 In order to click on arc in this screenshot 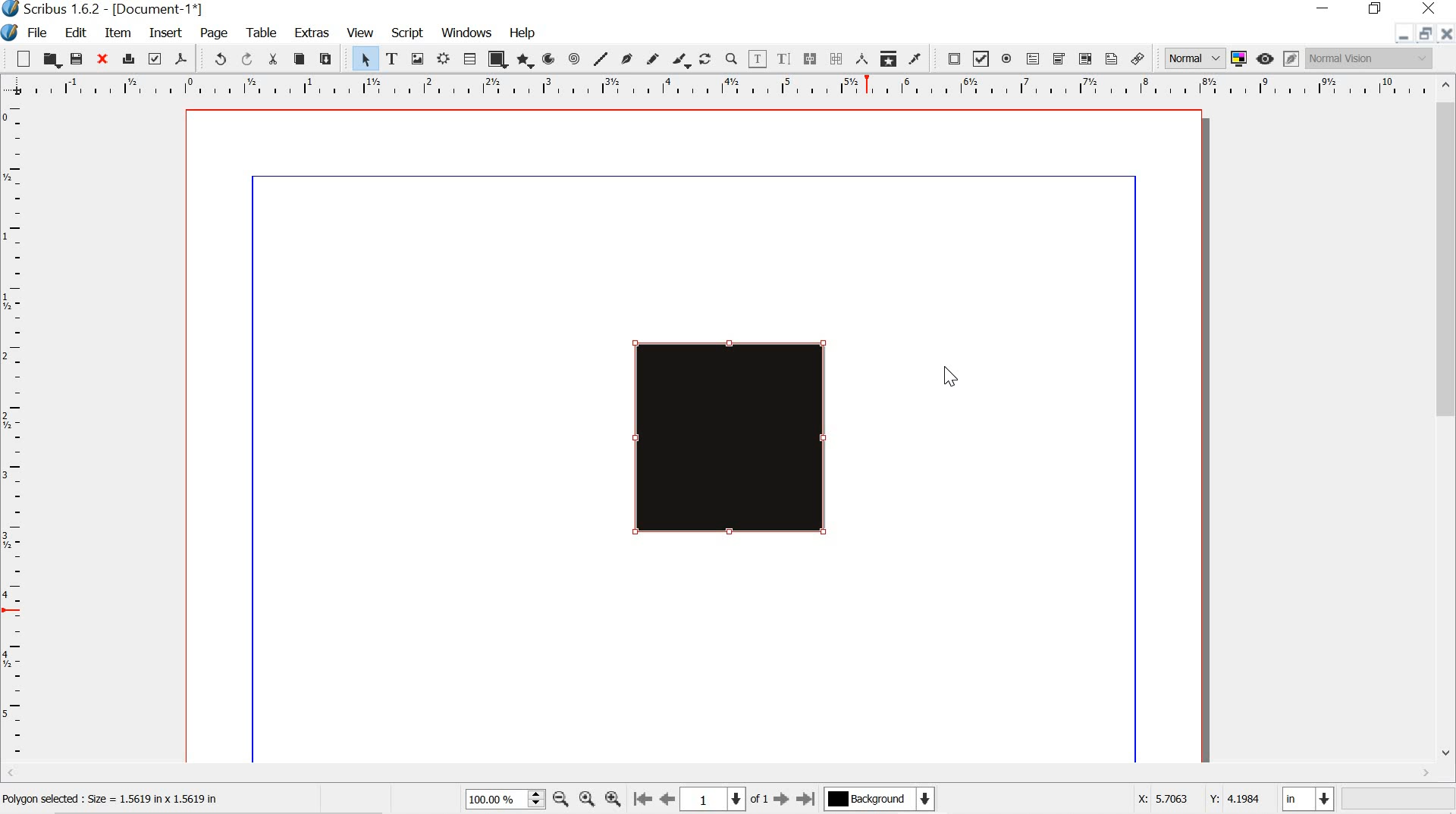, I will do `click(550, 58)`.